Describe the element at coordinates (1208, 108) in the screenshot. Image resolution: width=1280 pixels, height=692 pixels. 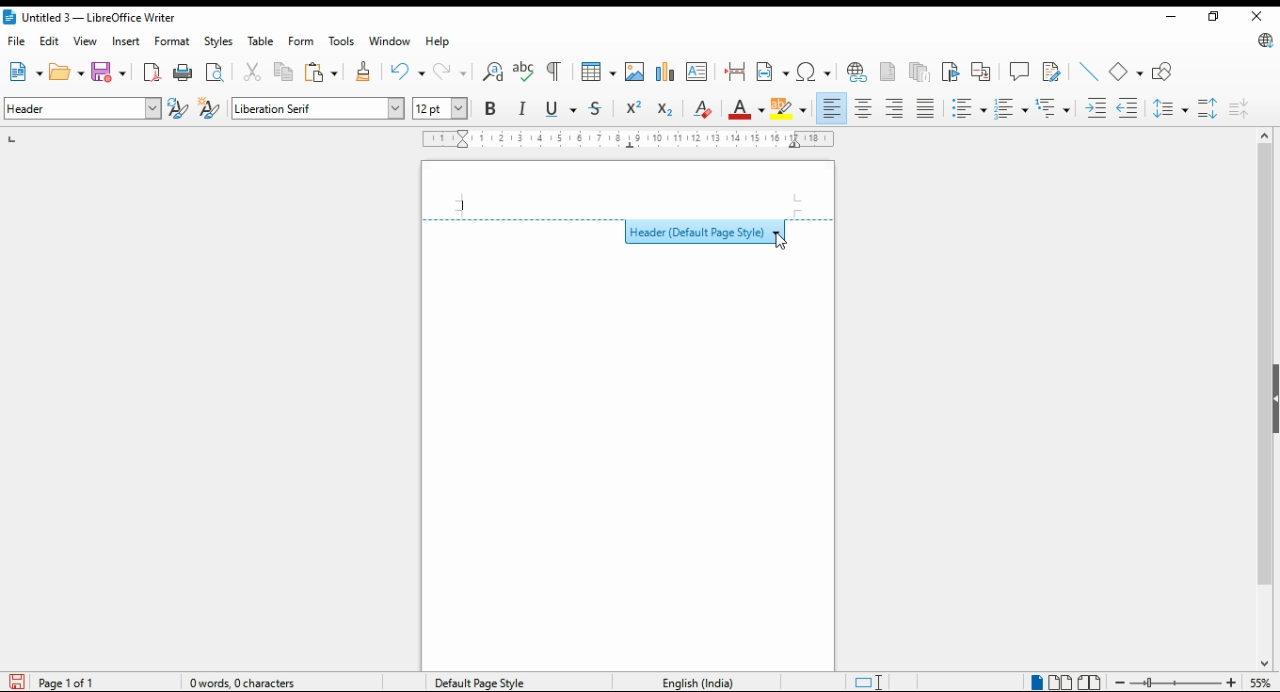
I see `increase paragraph spacing` at that location.